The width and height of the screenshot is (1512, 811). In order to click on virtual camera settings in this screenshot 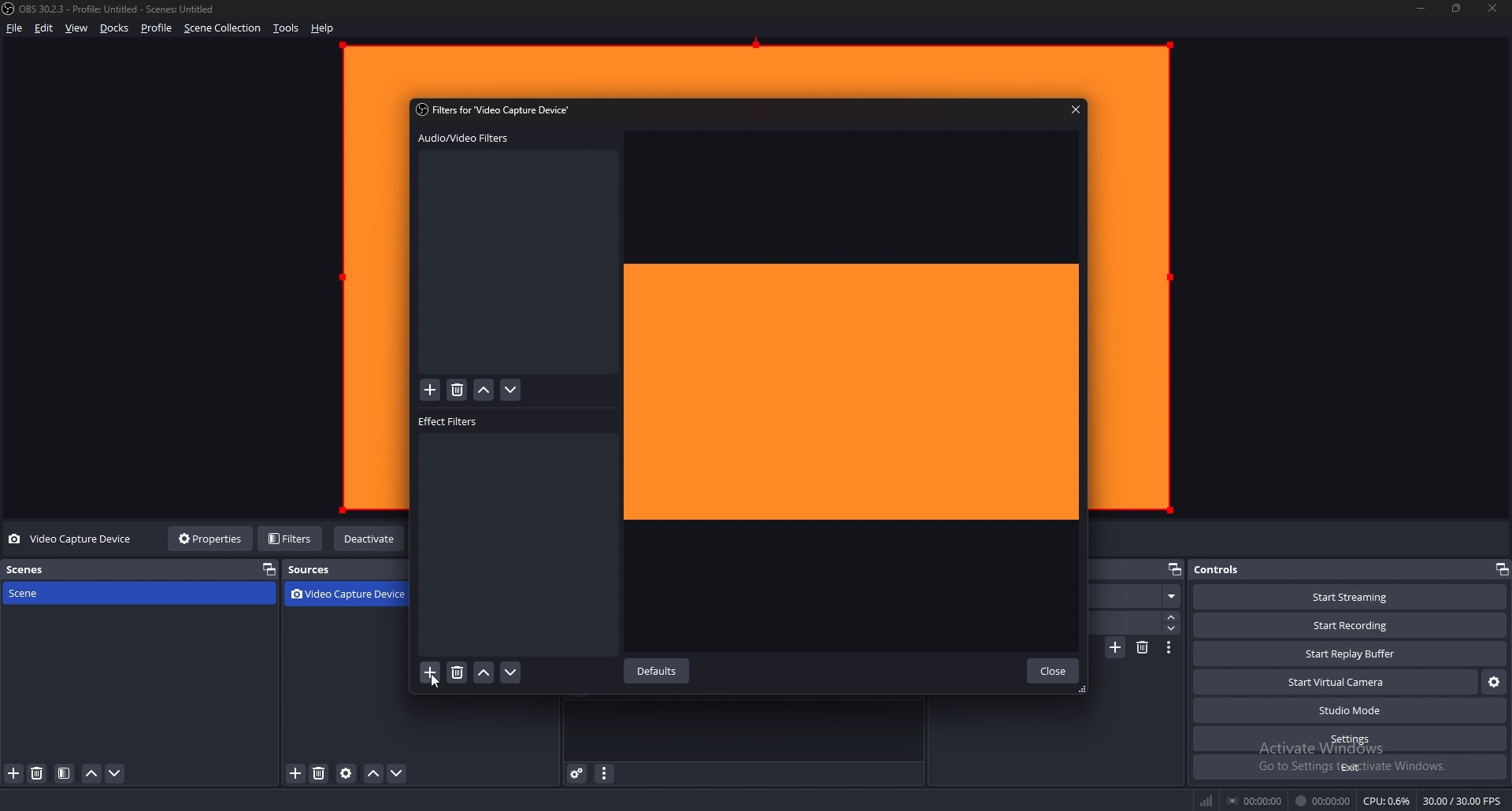, I will do `click(1495, 683)`.